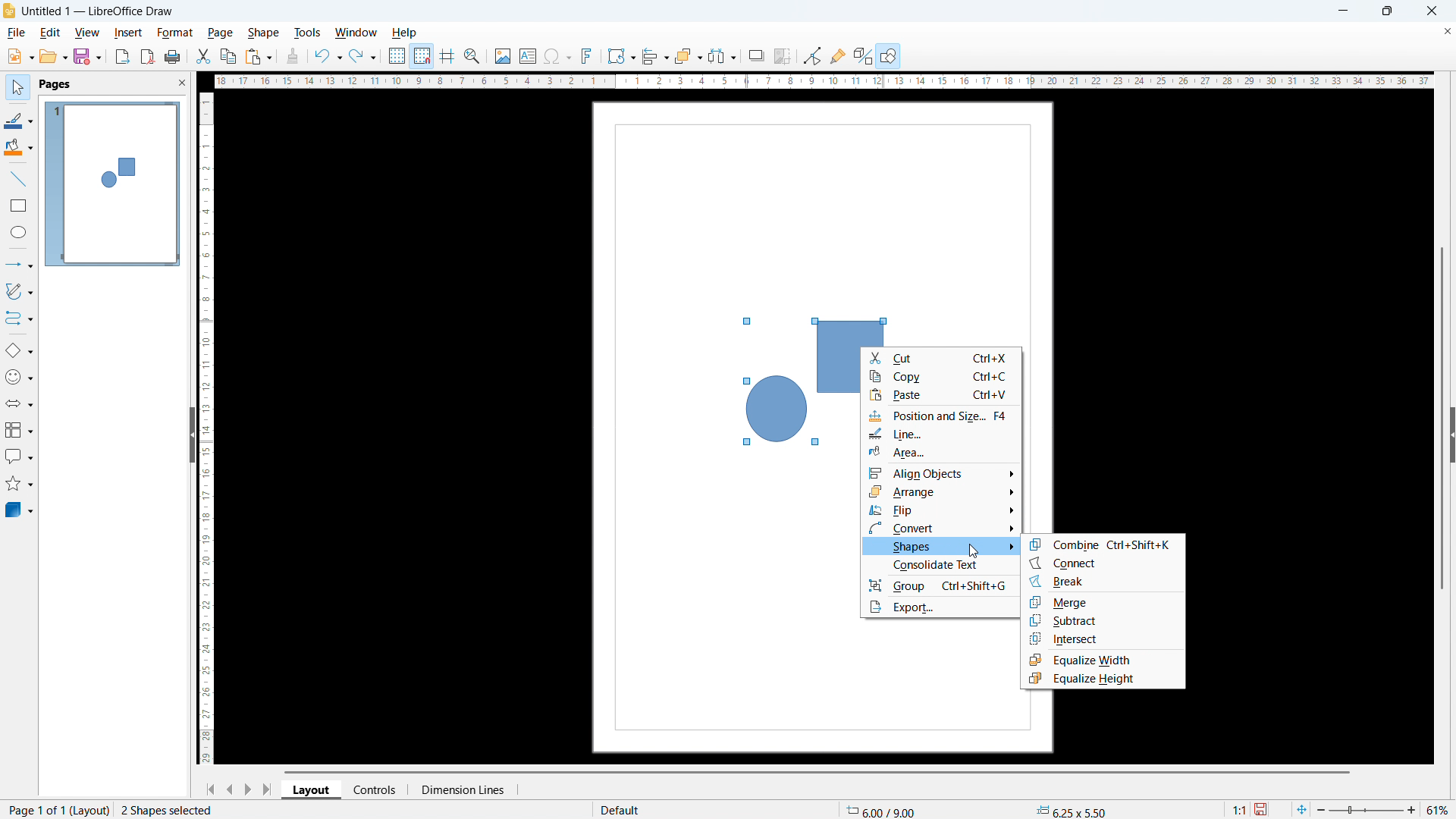 The height and width of the screenshot is (819, 1456). What do you see at coordinates (170, 809) in the screenshot?
I see `2 shapes selected` at bounding box center [170, 809].